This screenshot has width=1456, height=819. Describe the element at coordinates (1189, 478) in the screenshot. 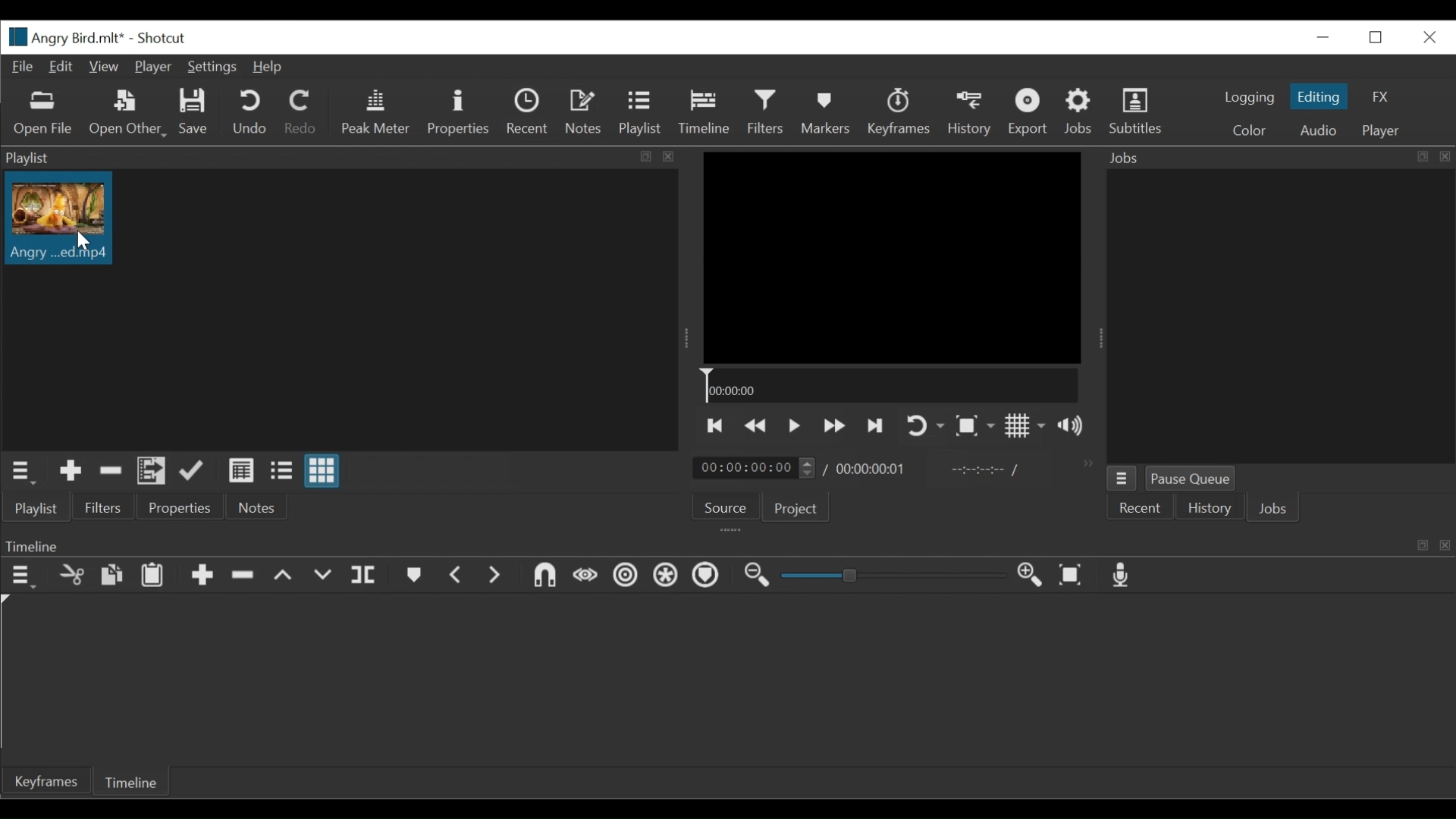

I see `Pause Queue` at that location.